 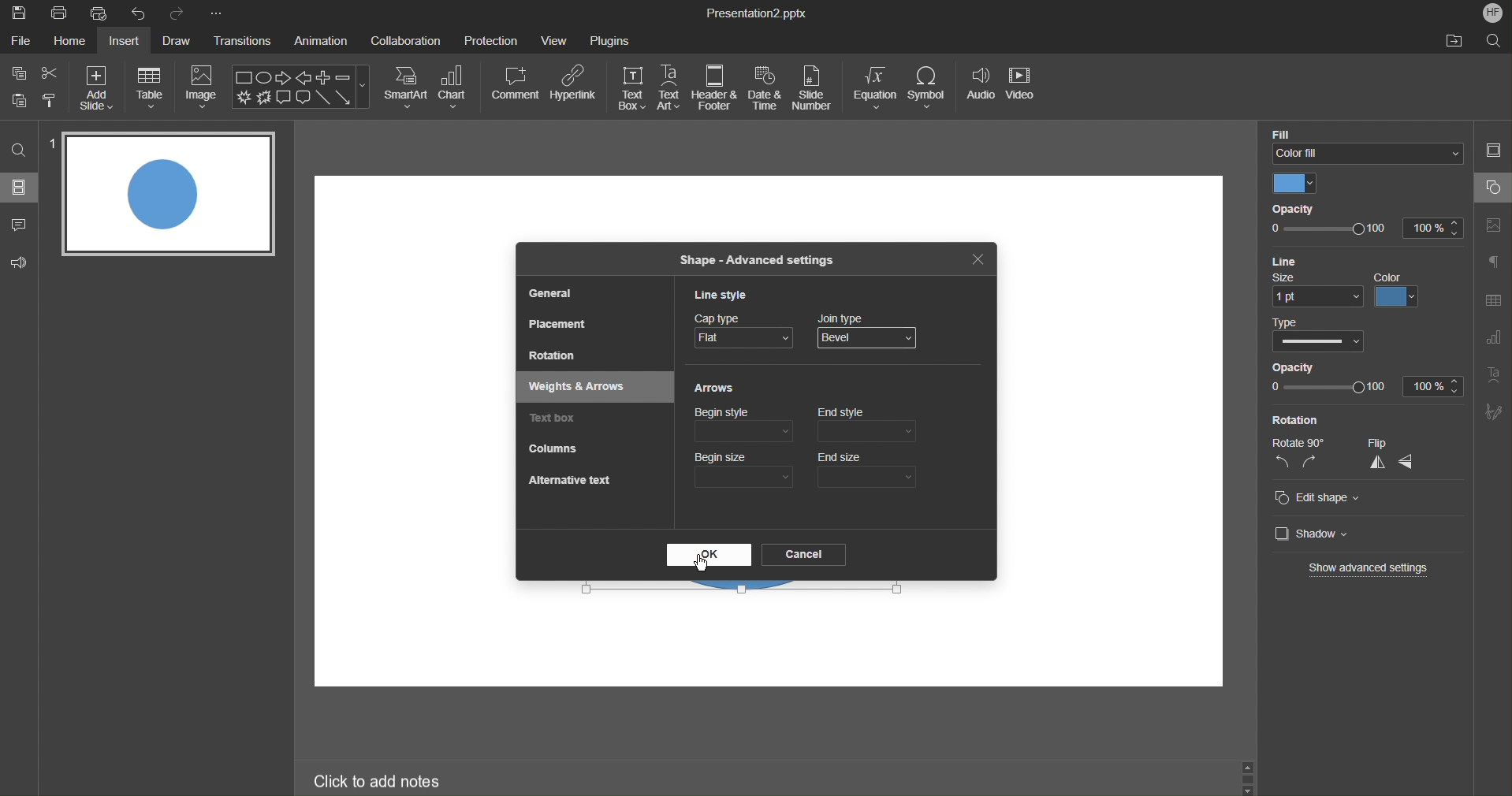 I want to click on More, so click(x=216, y=13).